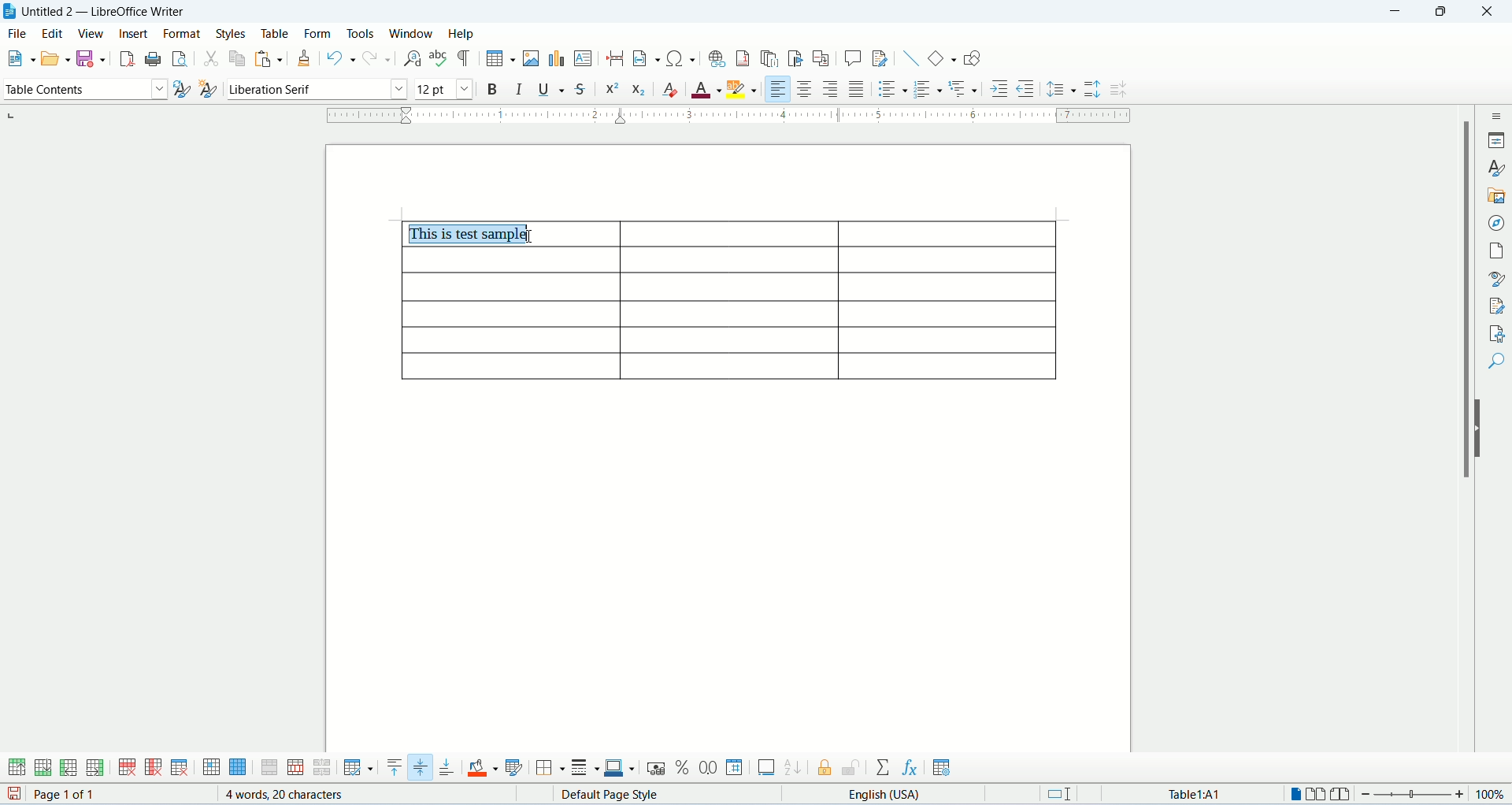 Image resolution: width=1512 pixels, height=805 pixels. Describe the element at coordinates (342, 57) in the screenshot. I see `undo` at that location.